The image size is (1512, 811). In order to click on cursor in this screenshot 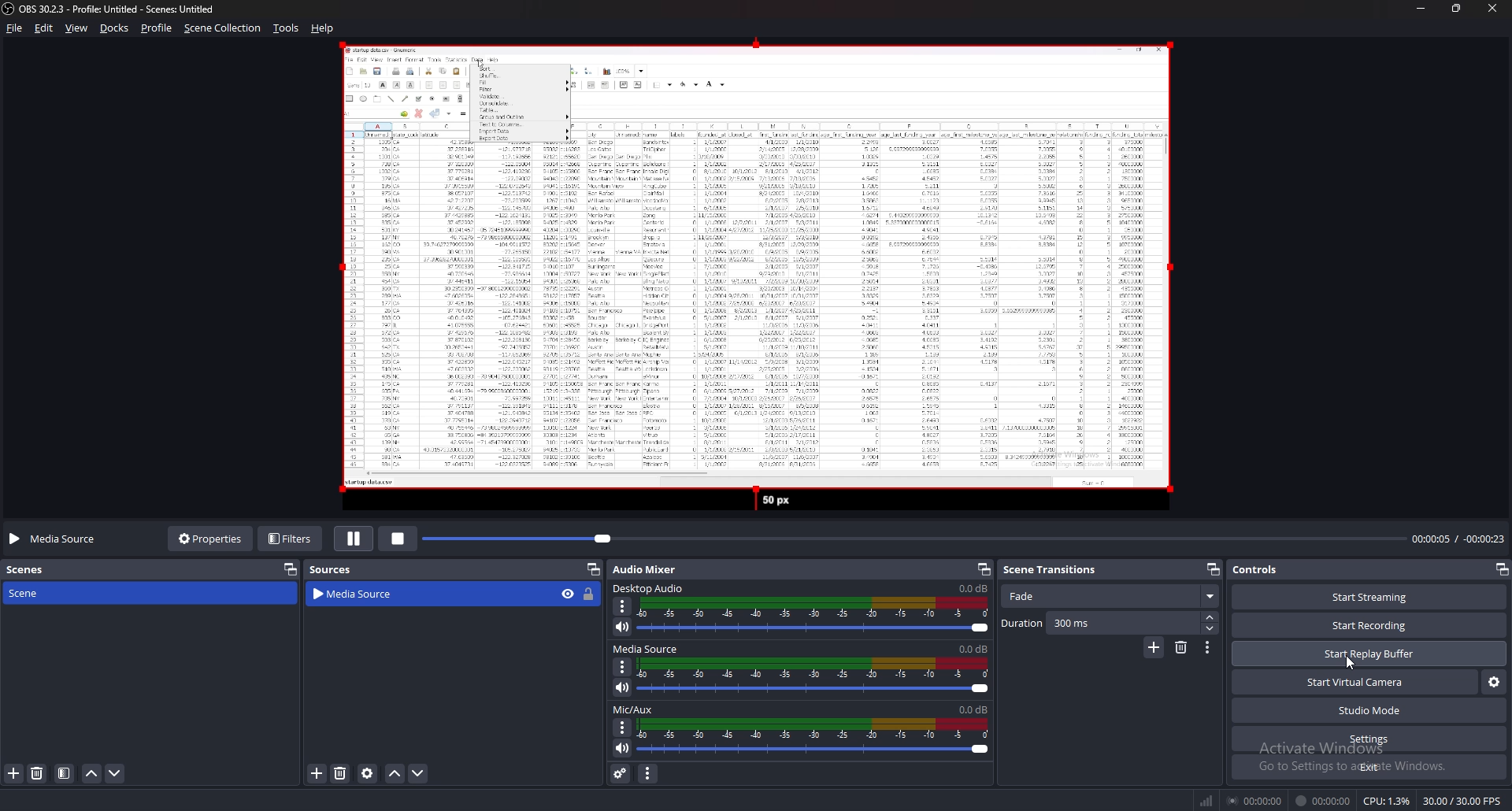, I will do `click(1347, 663)`.